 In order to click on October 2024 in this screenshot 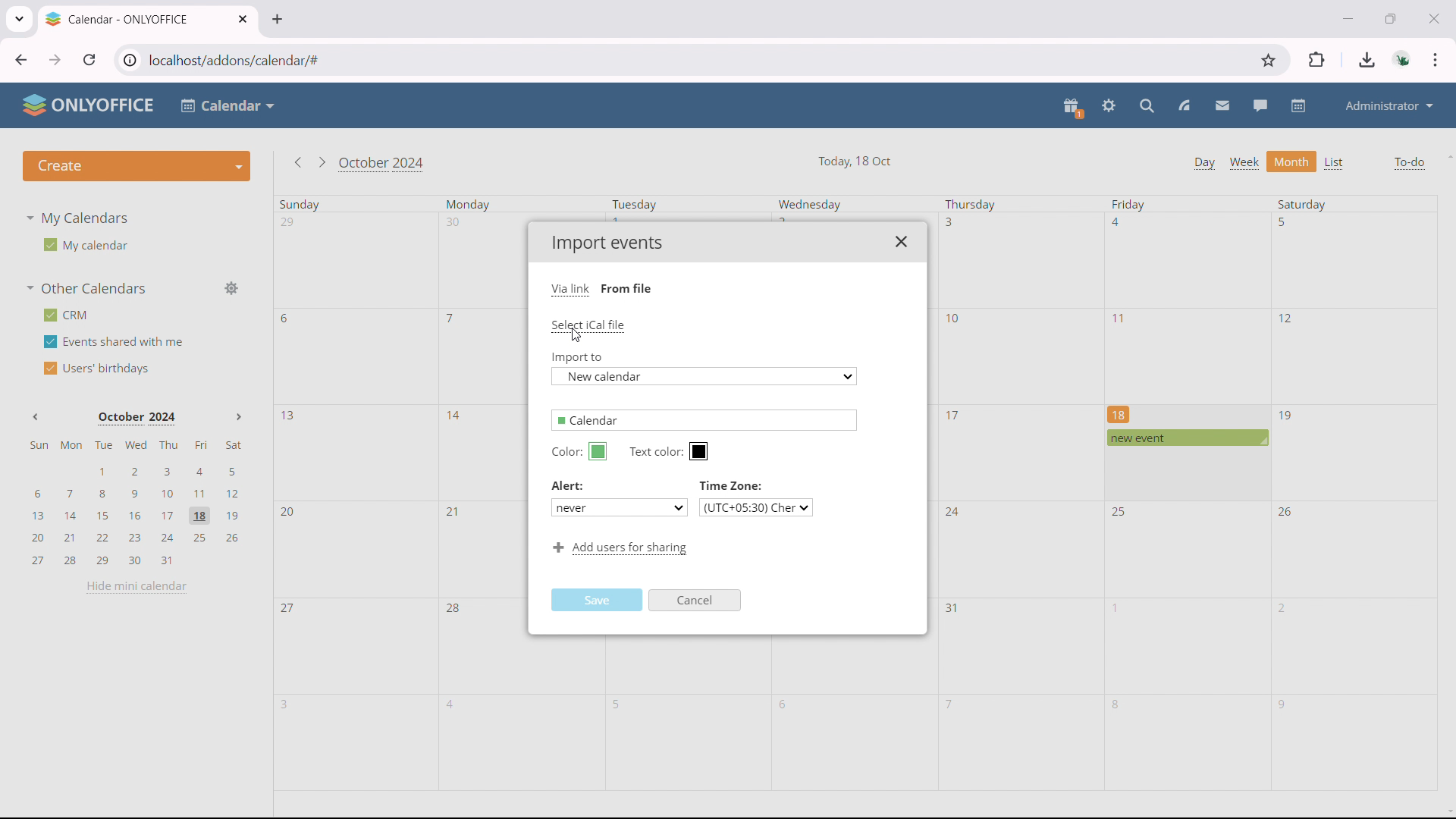, I will do `click(136, 419)`.